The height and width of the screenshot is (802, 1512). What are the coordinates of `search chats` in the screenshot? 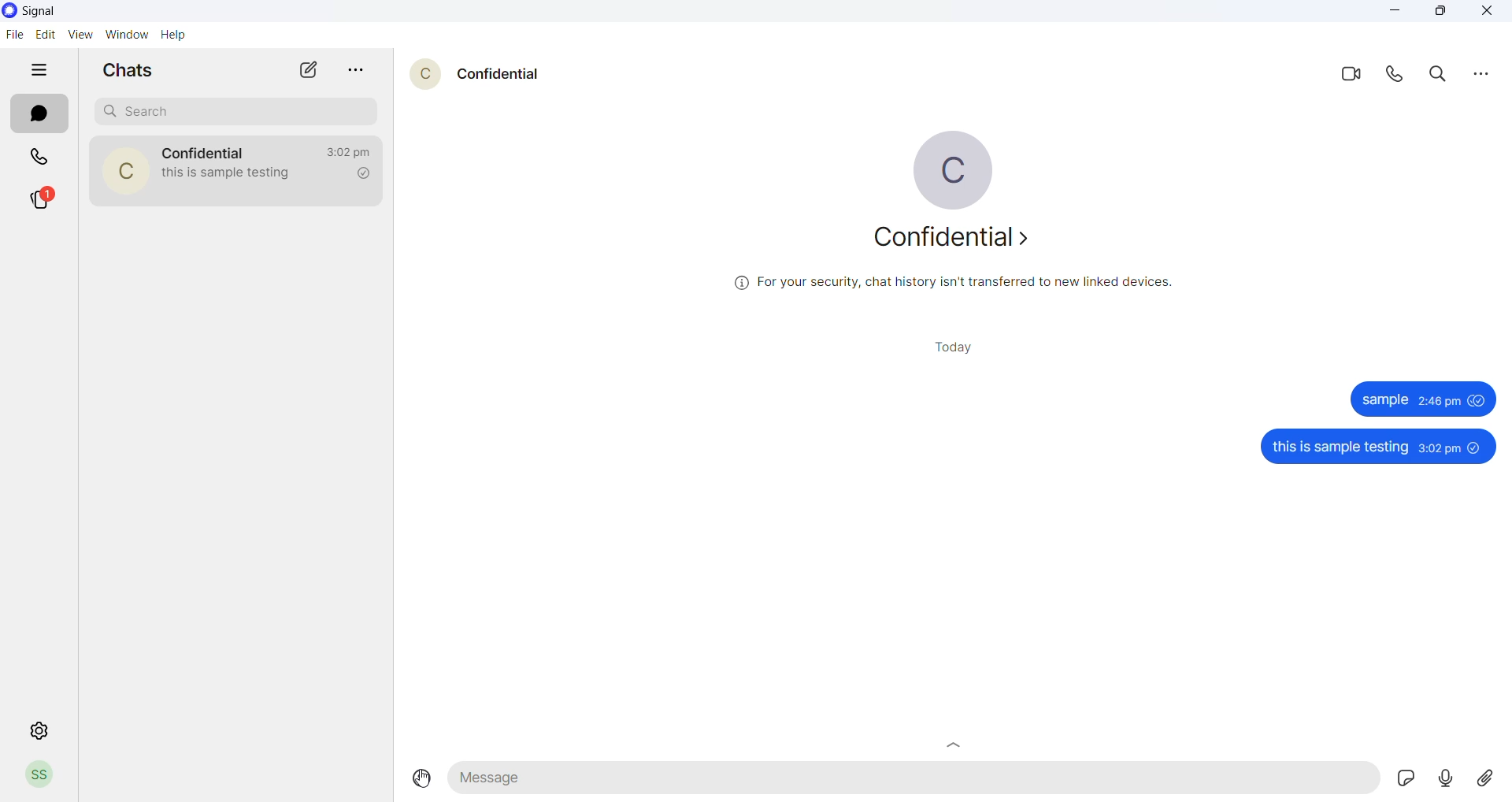 It's located at (235, 111).